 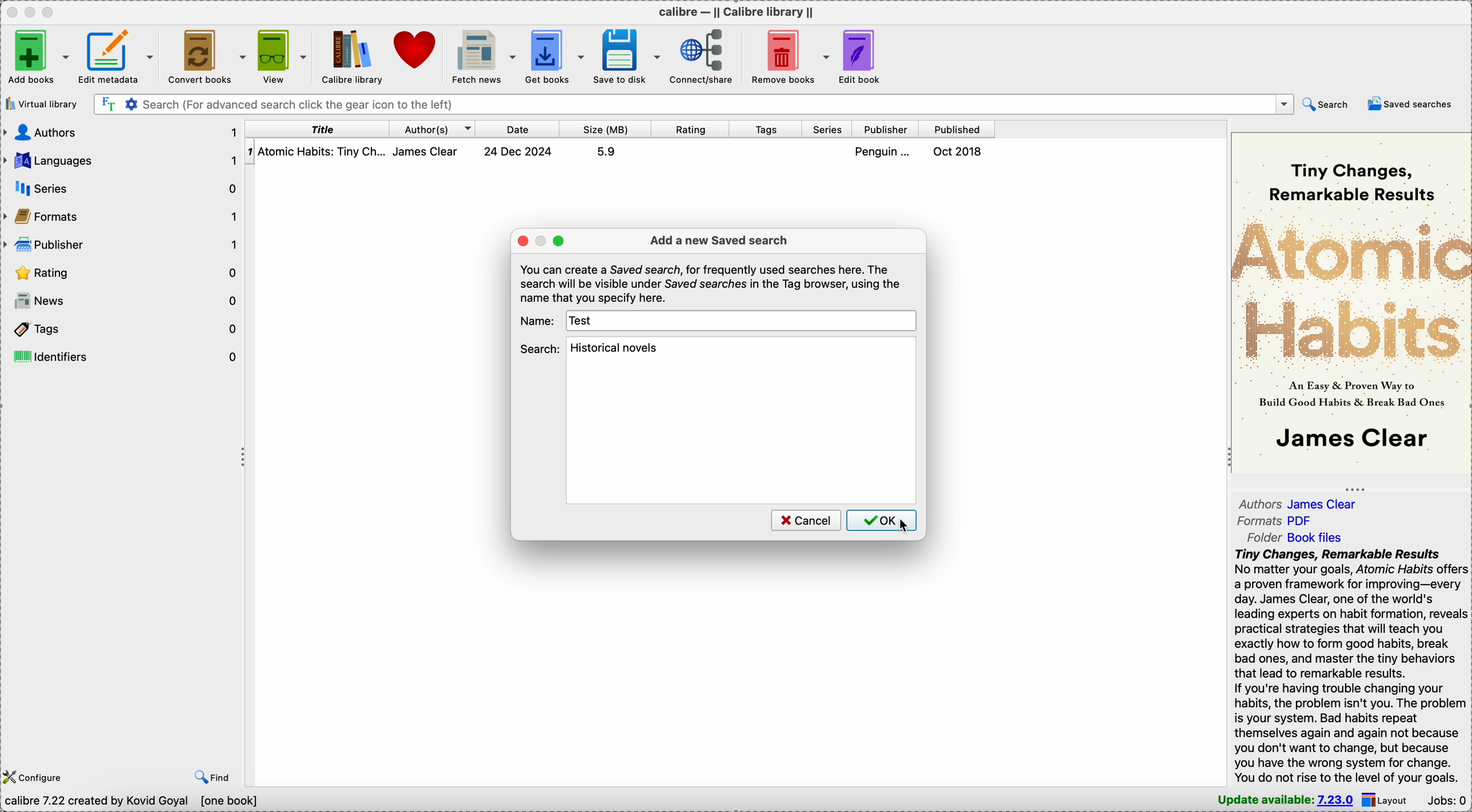 What do you see at coordinates (1350, 301) in the screenshot?
I see `book cover preview` at bounding box center [1350, 301].